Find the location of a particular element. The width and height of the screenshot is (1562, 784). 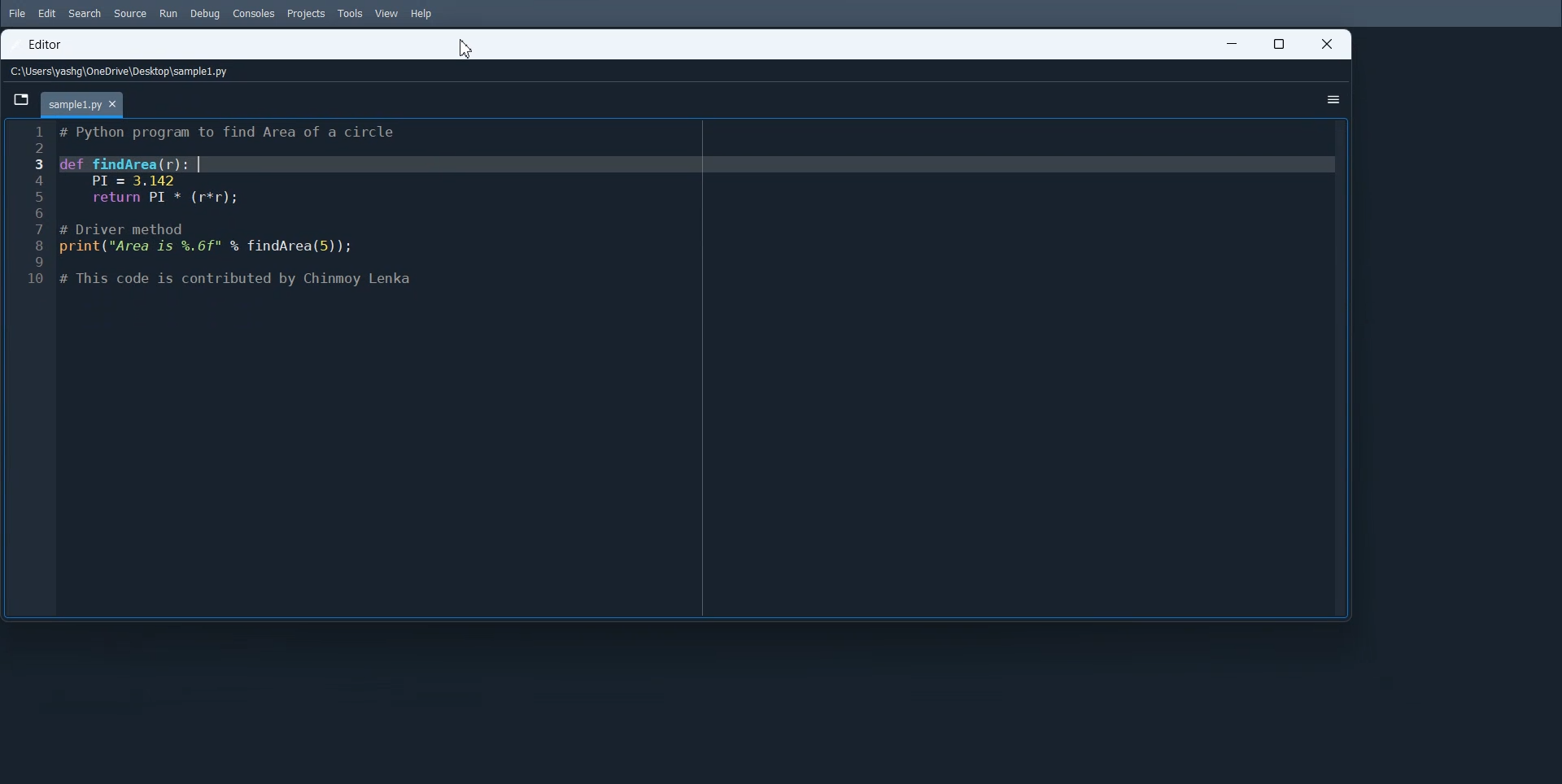

Source is located at coordinates (131, 14).